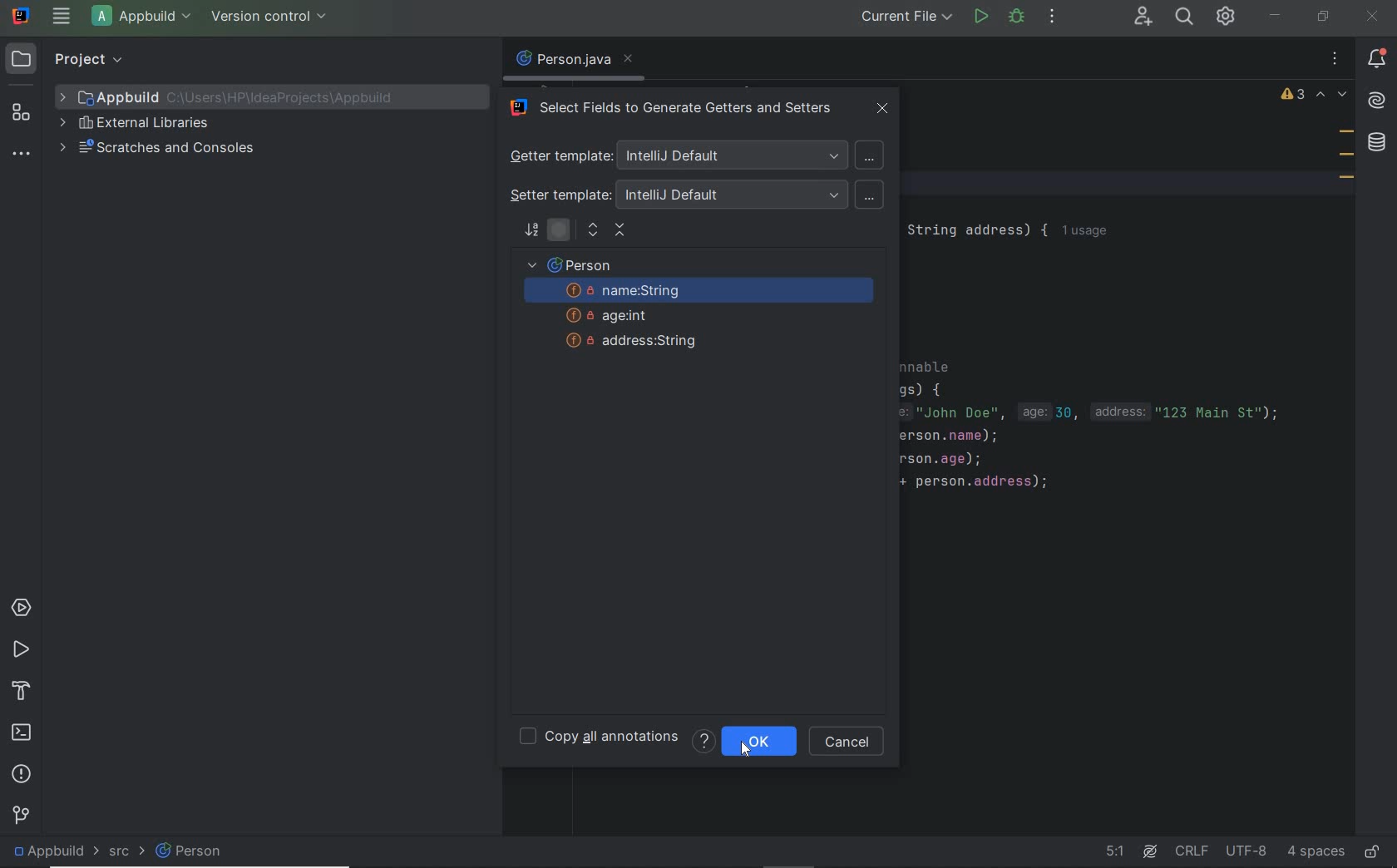 Image resolution: width=1397 pixels, height=868 pixels. I want to click on notifications, so click(1380, 59).